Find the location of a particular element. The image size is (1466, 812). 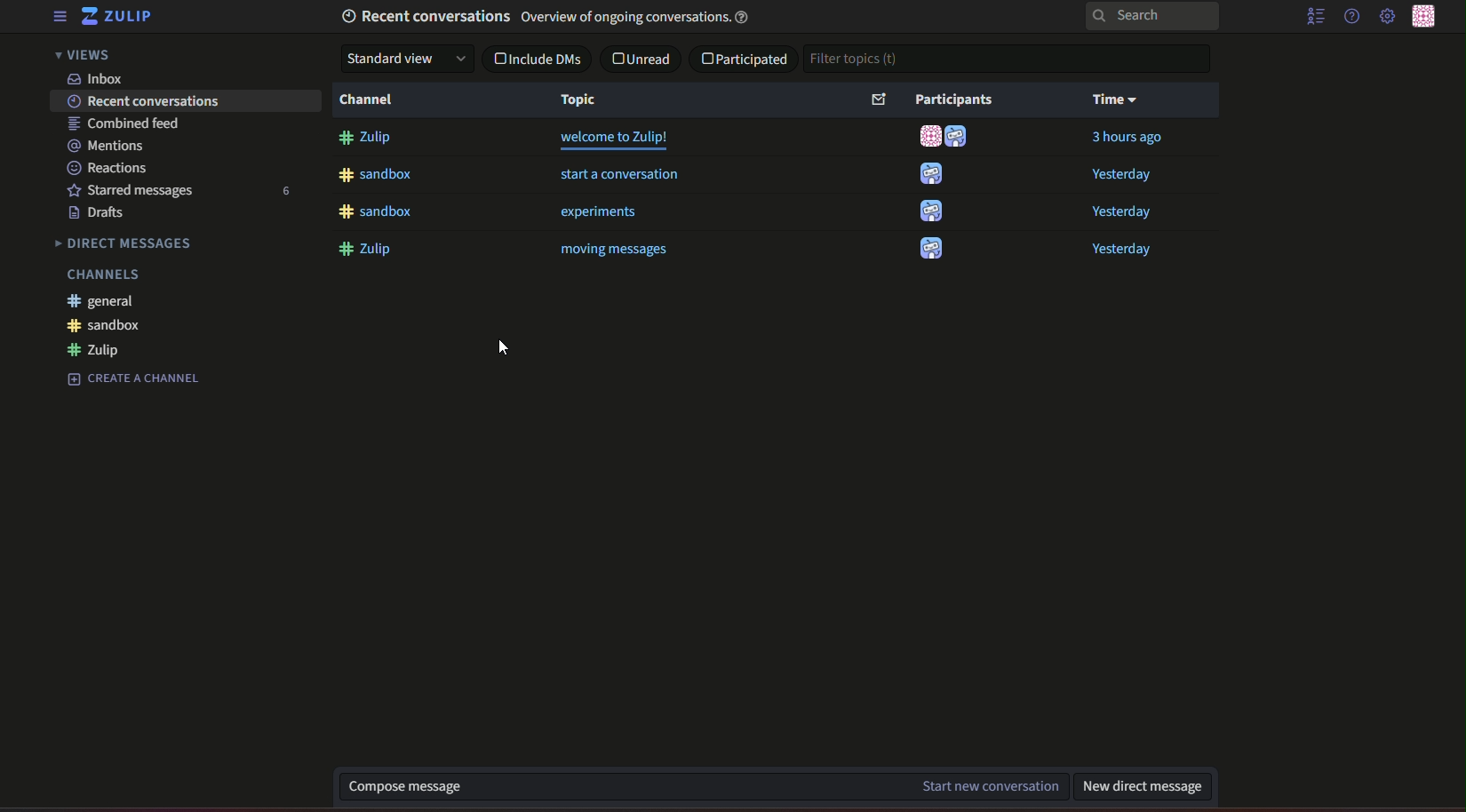

personal menu is located at coordinates (1428, 16).